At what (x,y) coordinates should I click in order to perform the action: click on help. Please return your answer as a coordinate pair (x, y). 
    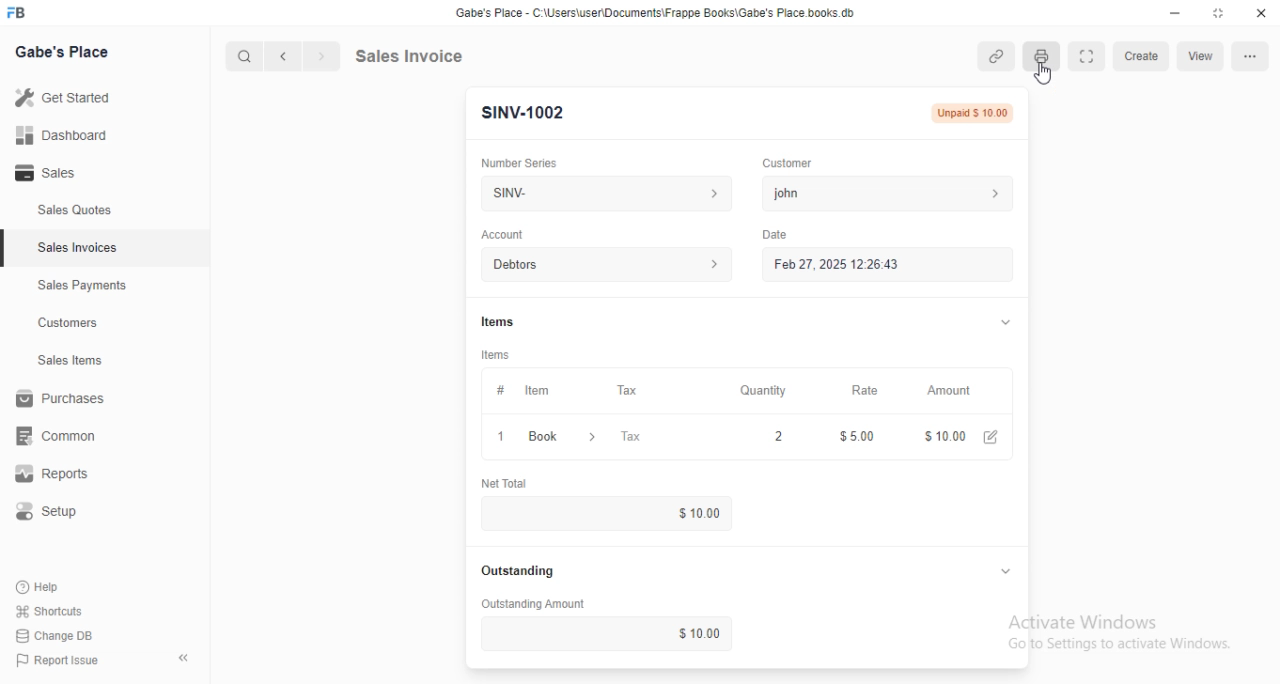
    Looking at the image, I should click on (39, 587).